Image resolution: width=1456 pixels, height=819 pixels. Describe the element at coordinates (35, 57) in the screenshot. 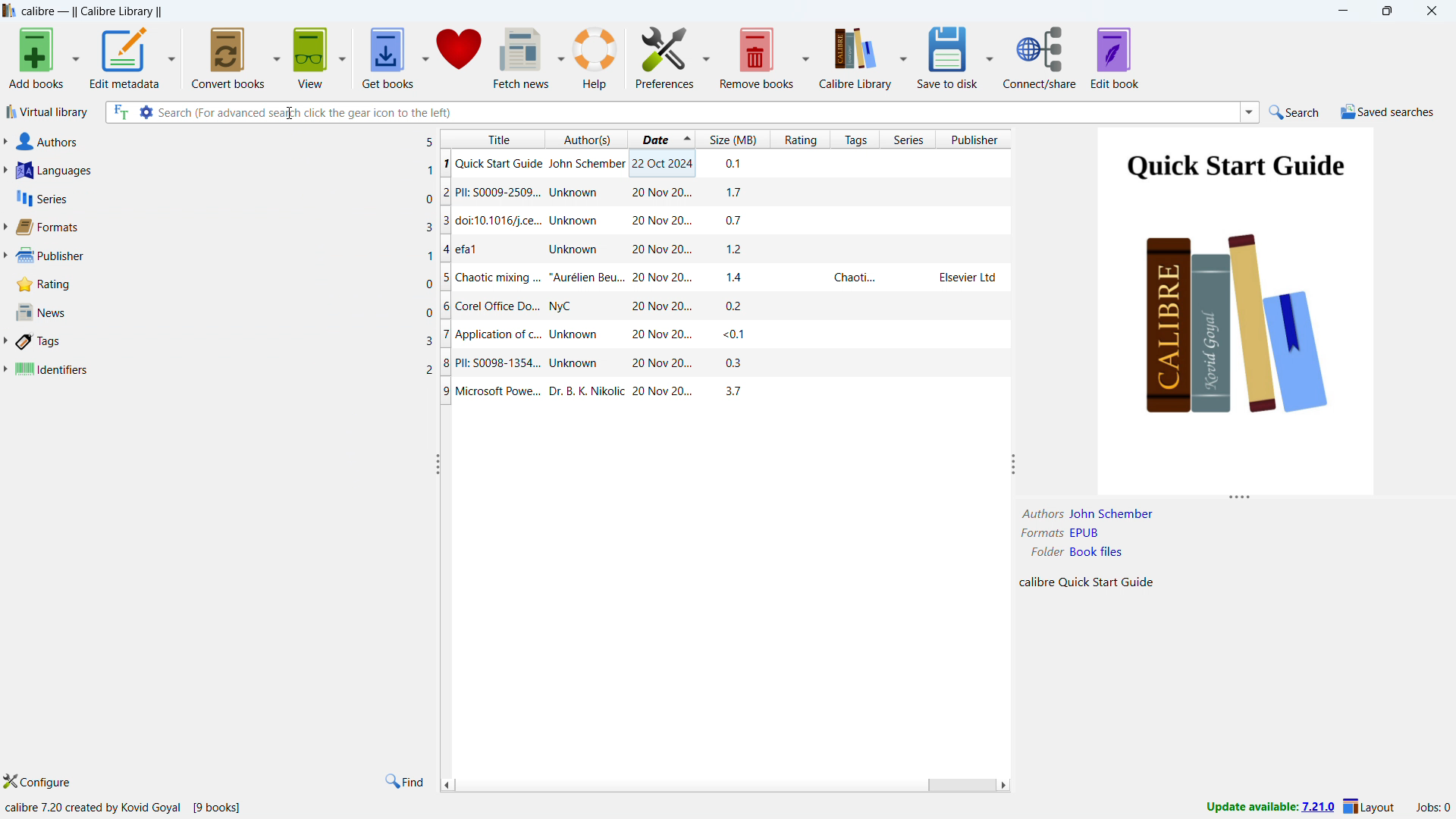

I see `add books` at that location.